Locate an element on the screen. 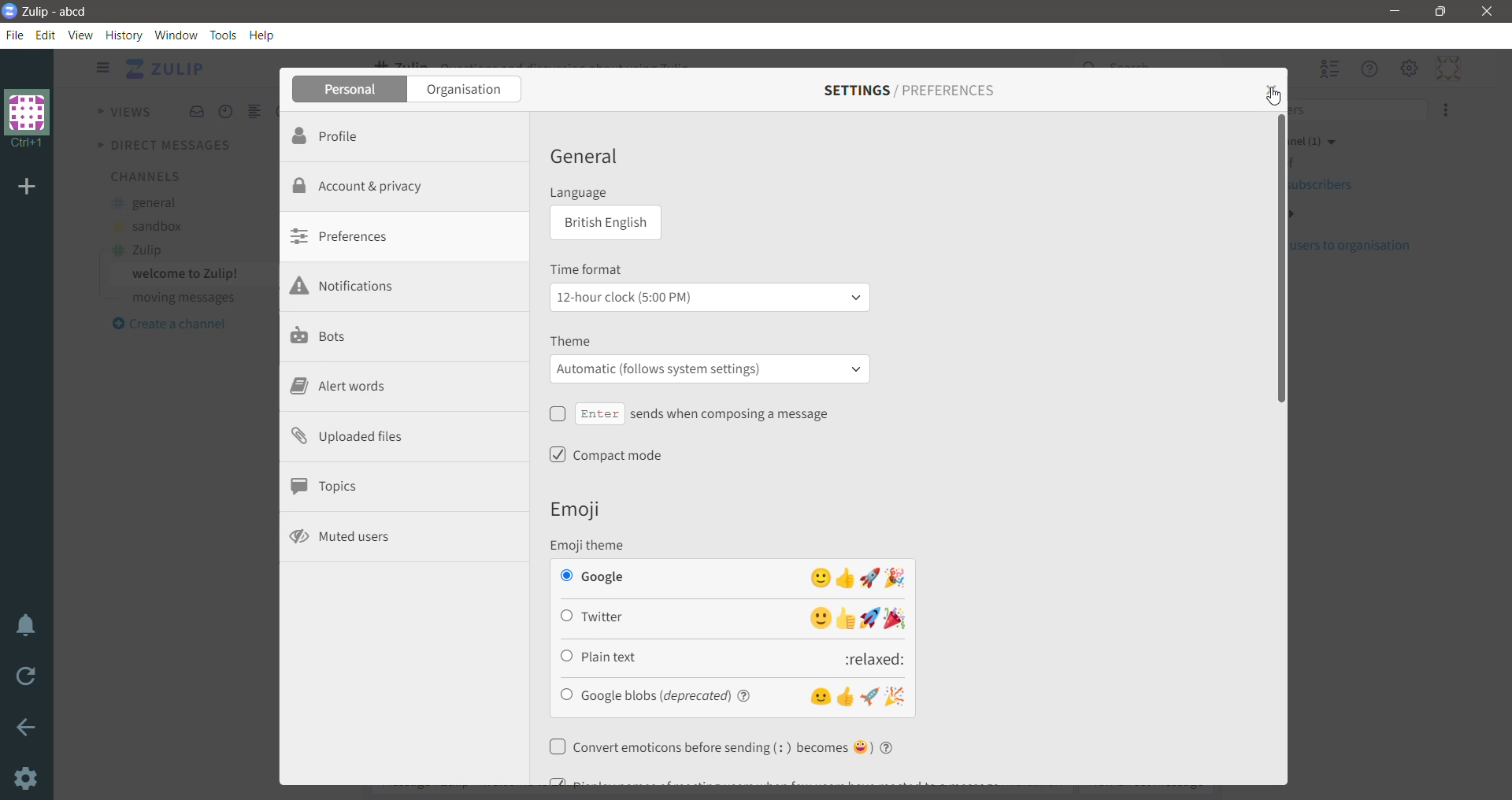  British English is located at coordinates (611, 222).